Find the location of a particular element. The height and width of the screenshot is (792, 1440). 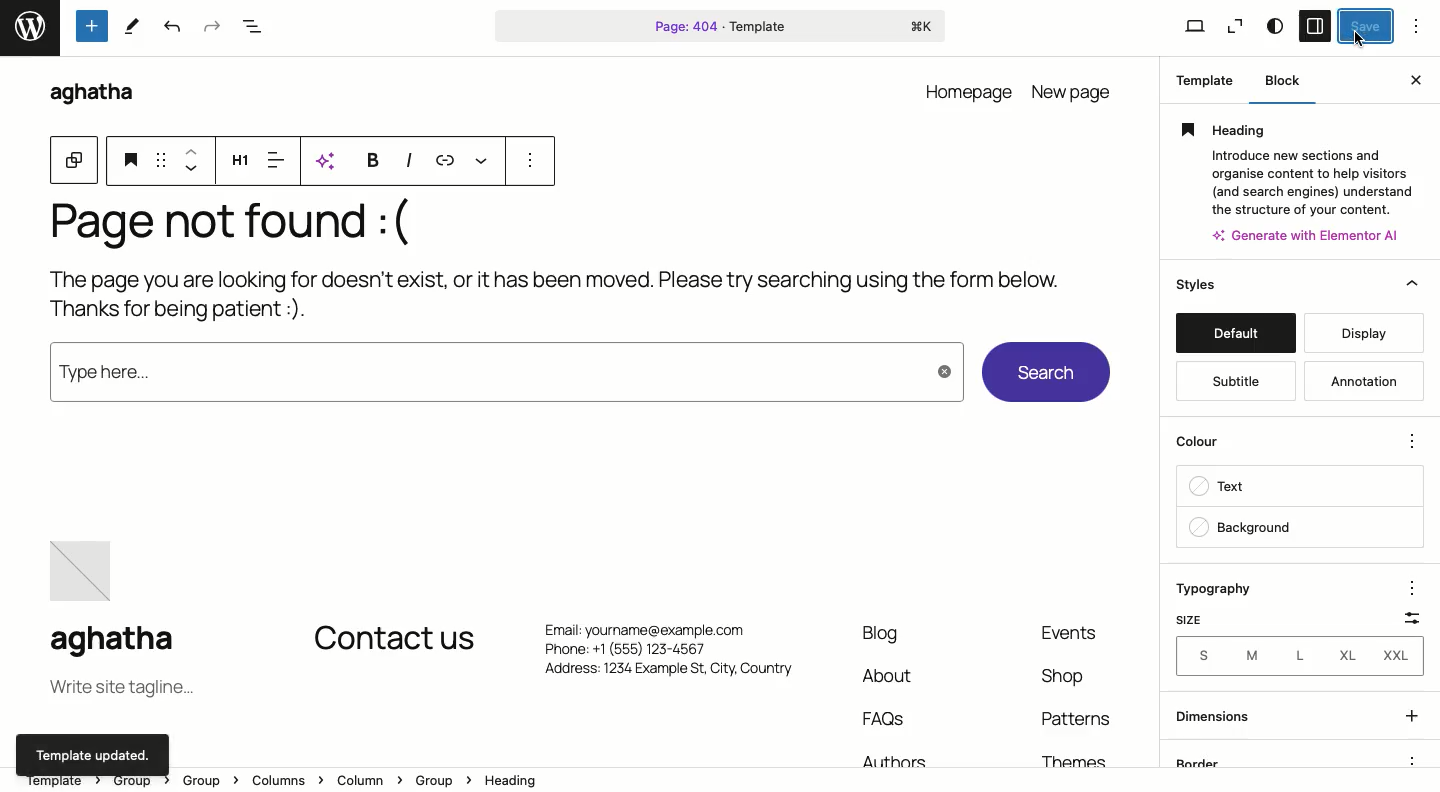

aghatha is located at coordinates (129, 643).